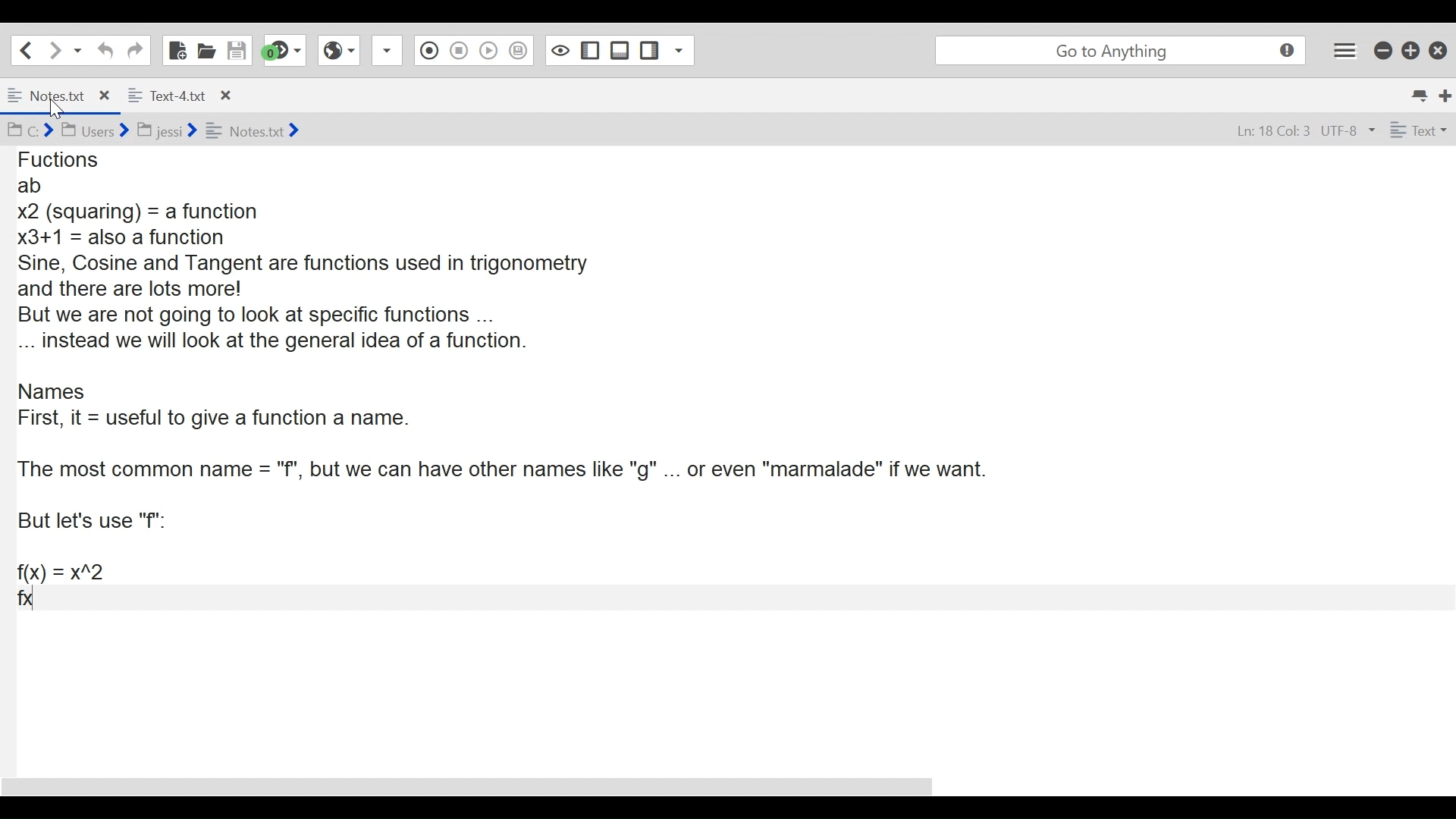  Describe the element at coordinates (39, 603) in the screenshot. I see `text cursor` at that location.